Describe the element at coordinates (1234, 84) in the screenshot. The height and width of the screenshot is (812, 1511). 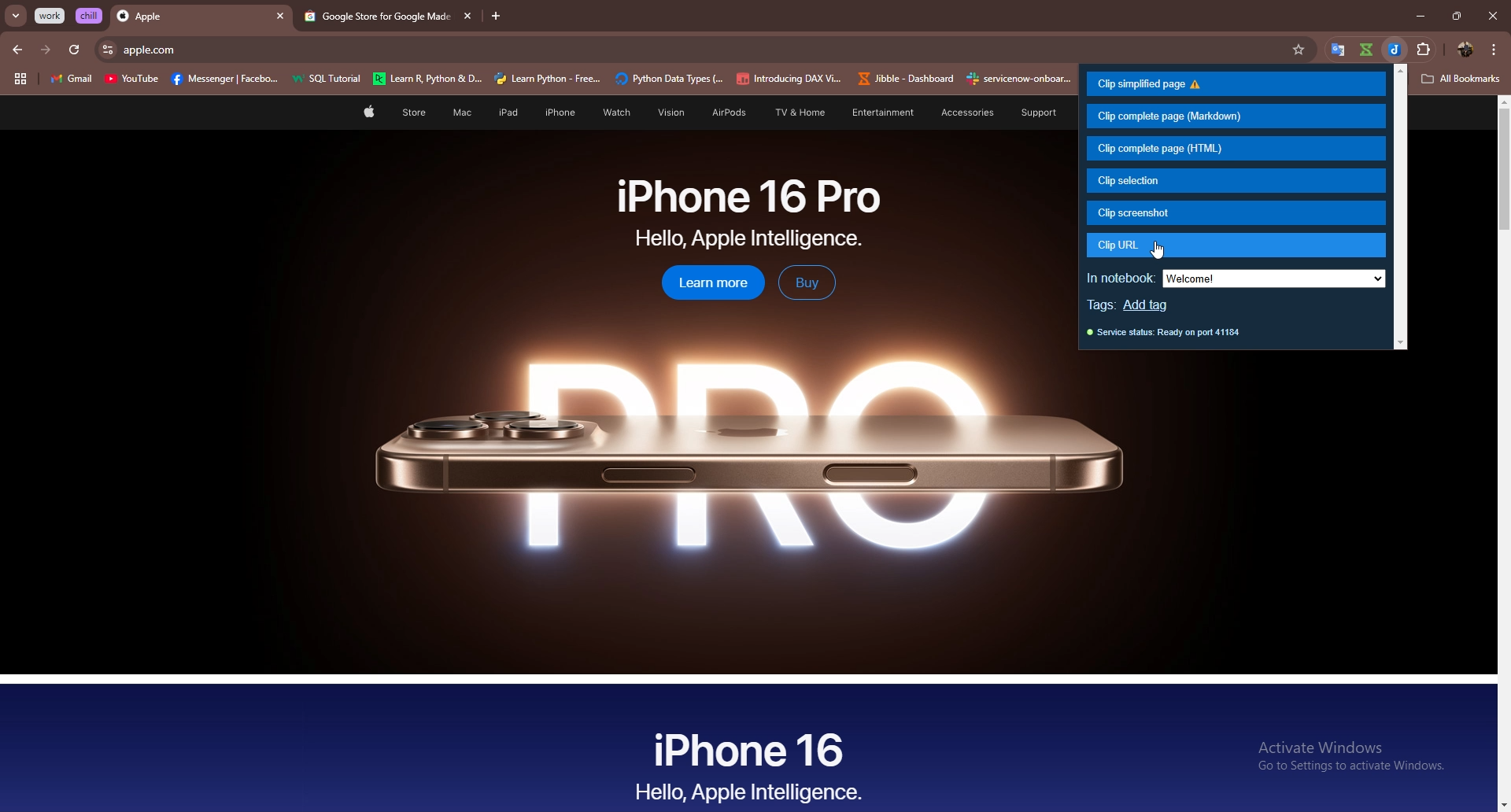
I see `clip simplified page` at that location.